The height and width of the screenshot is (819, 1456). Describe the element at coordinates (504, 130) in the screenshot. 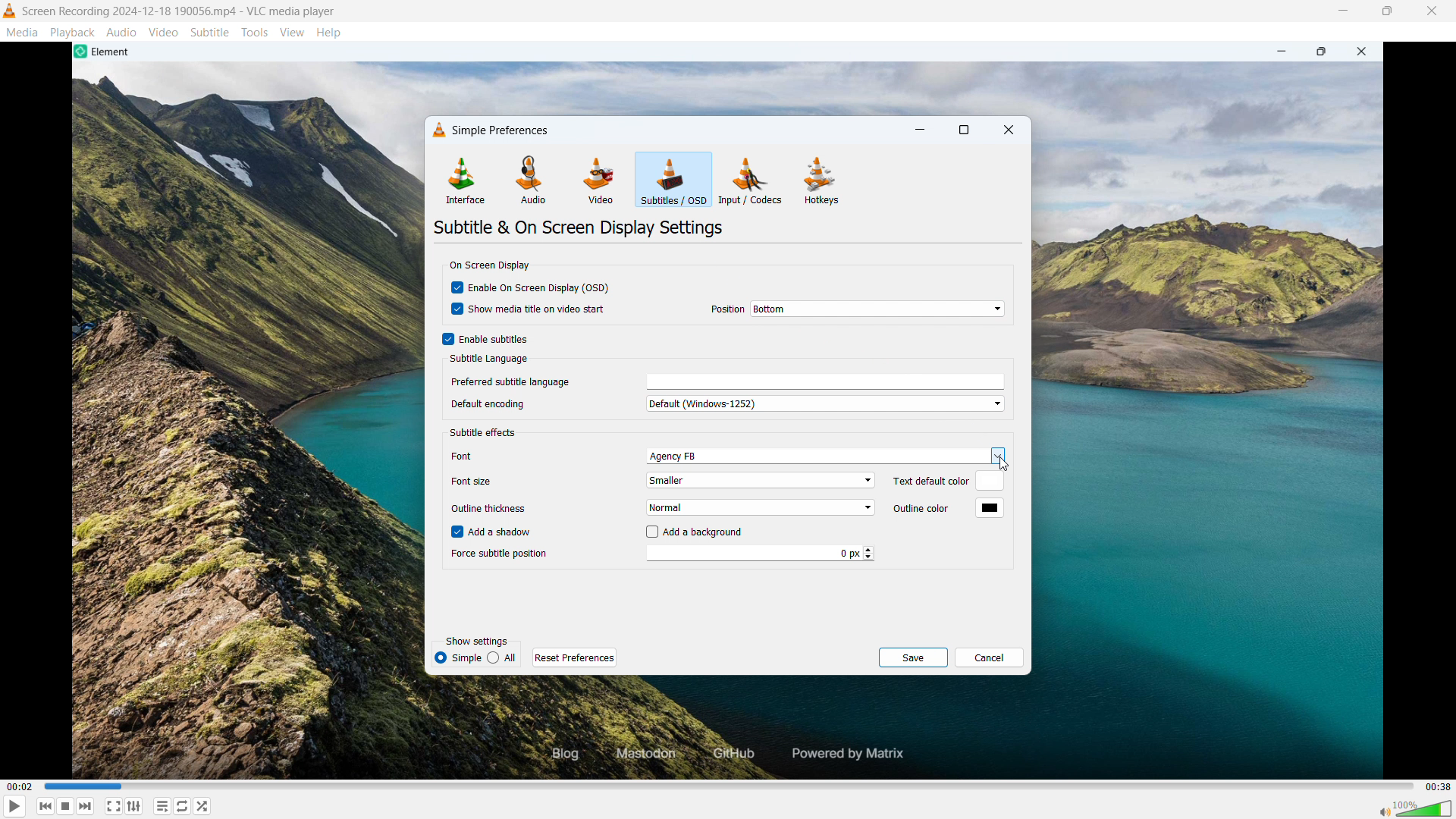

I see `simple preferences` at that location.